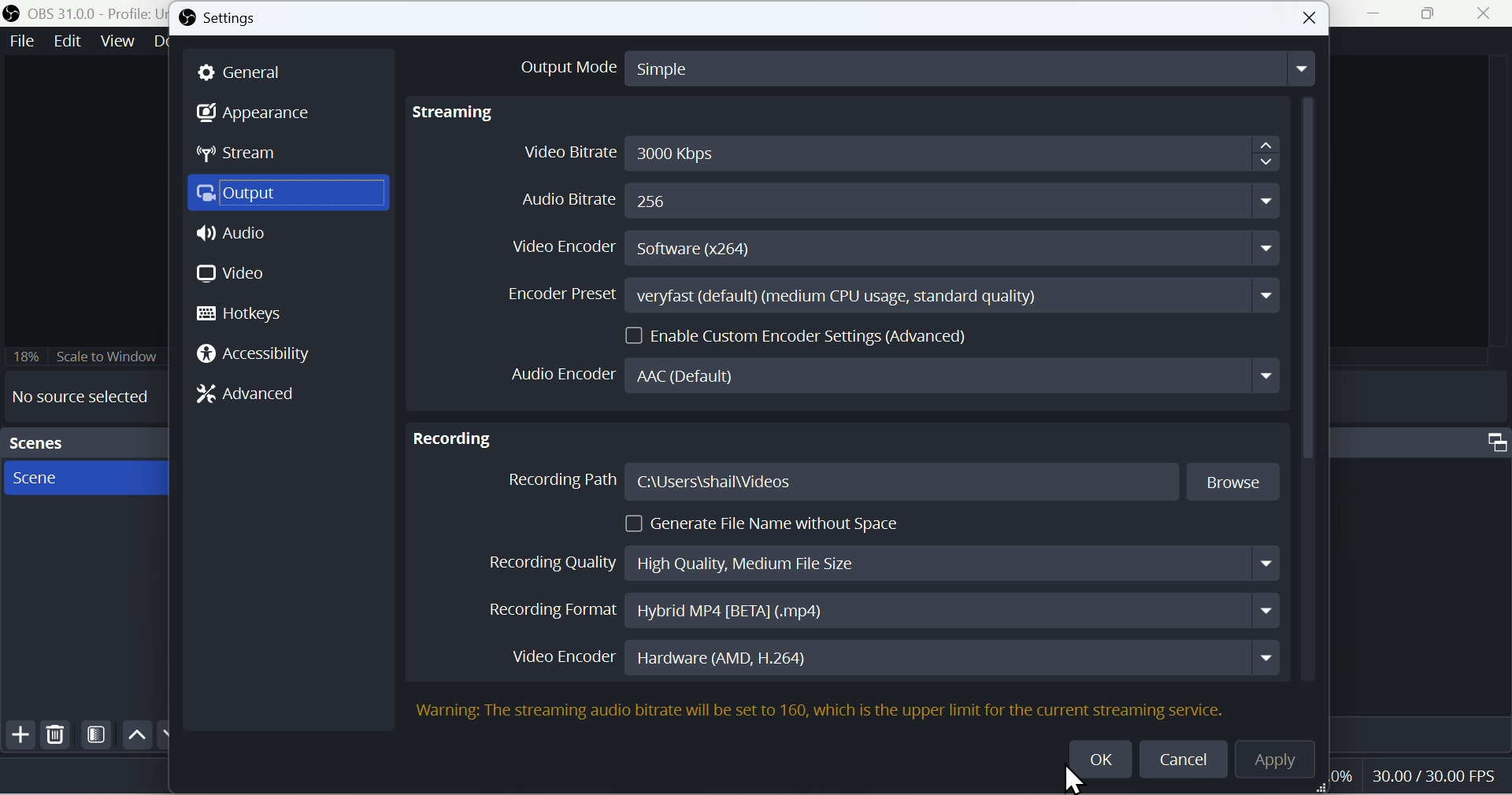 The image size is (1512, 795). Describe the element at coordinates (229, 20) in the screenshot. I see `Settings` at that location.